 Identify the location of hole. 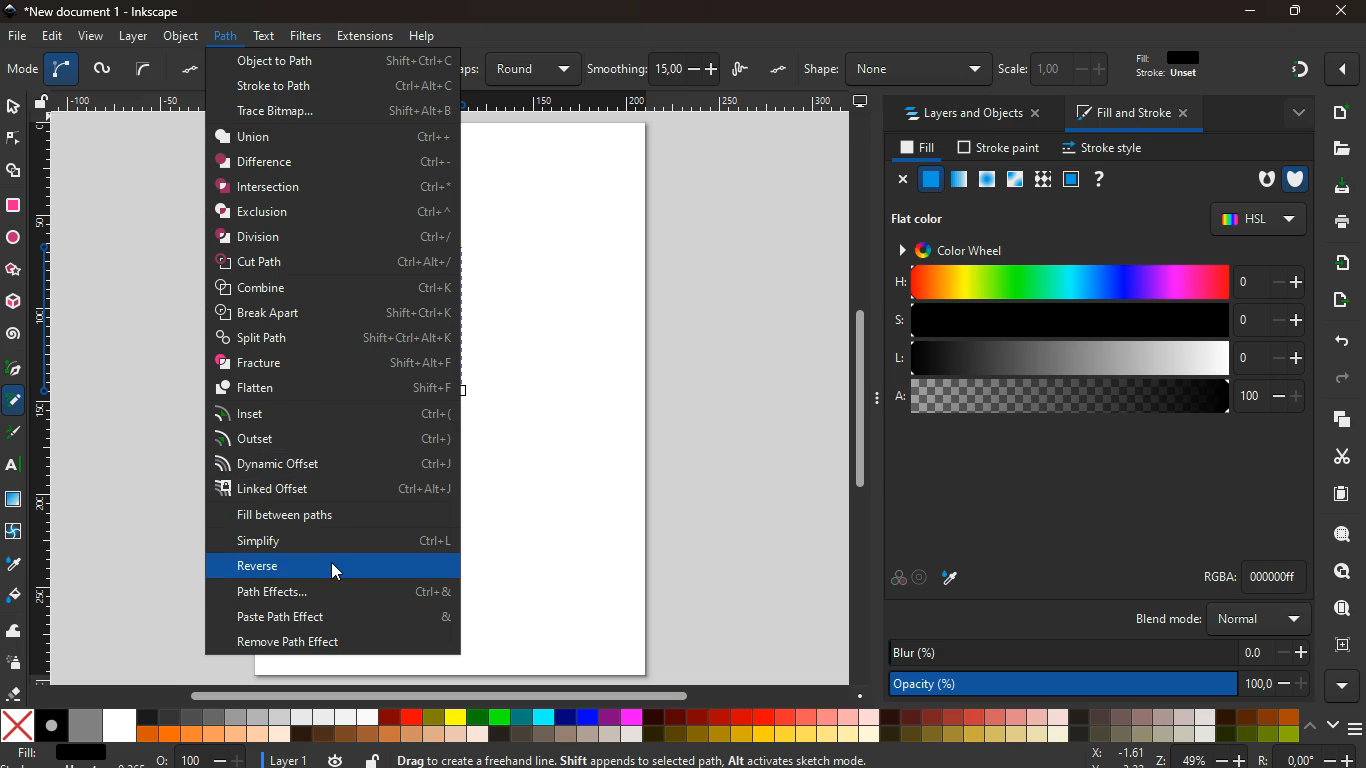
(1260, 182).